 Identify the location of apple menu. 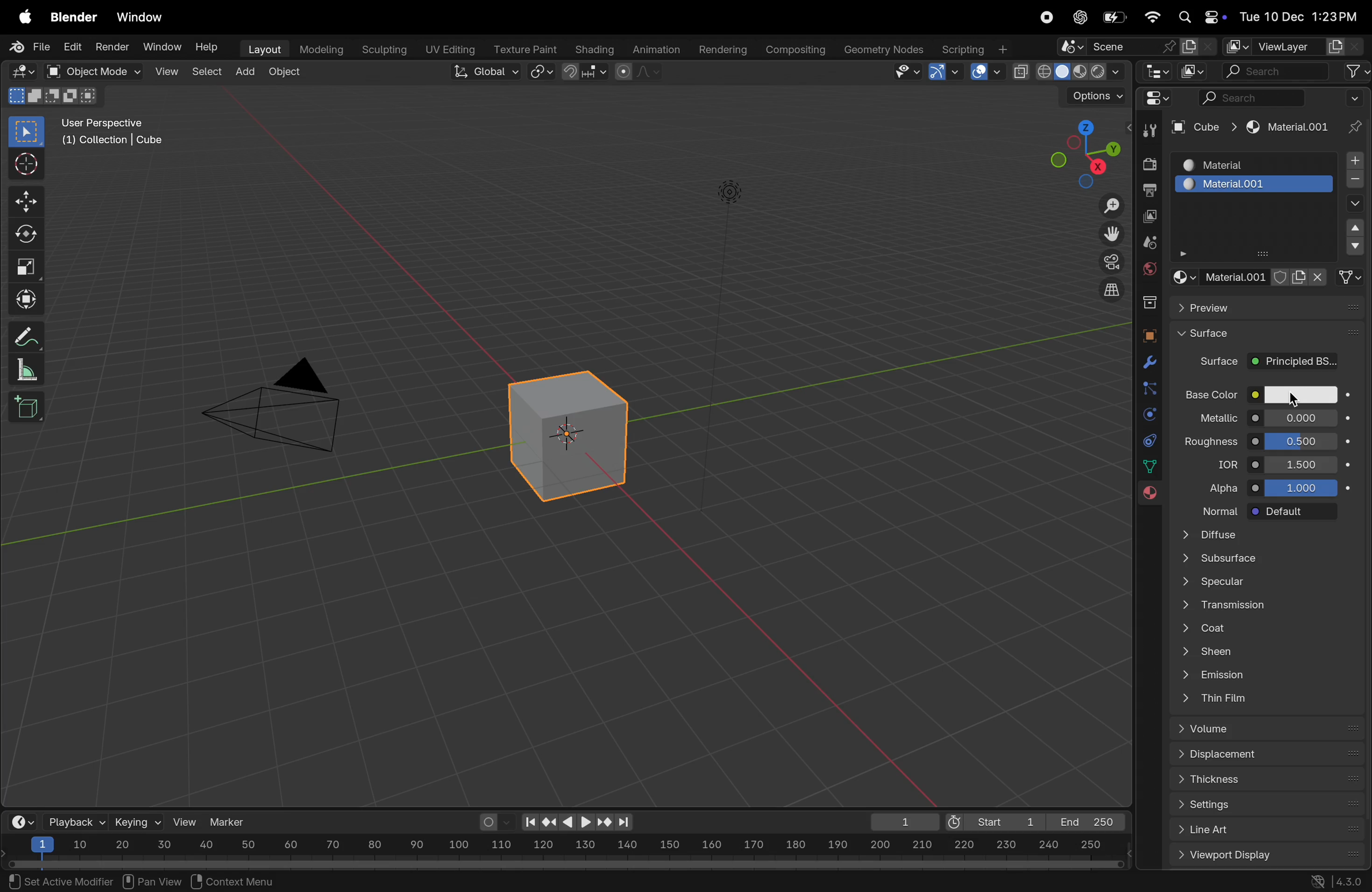
(20, 18).